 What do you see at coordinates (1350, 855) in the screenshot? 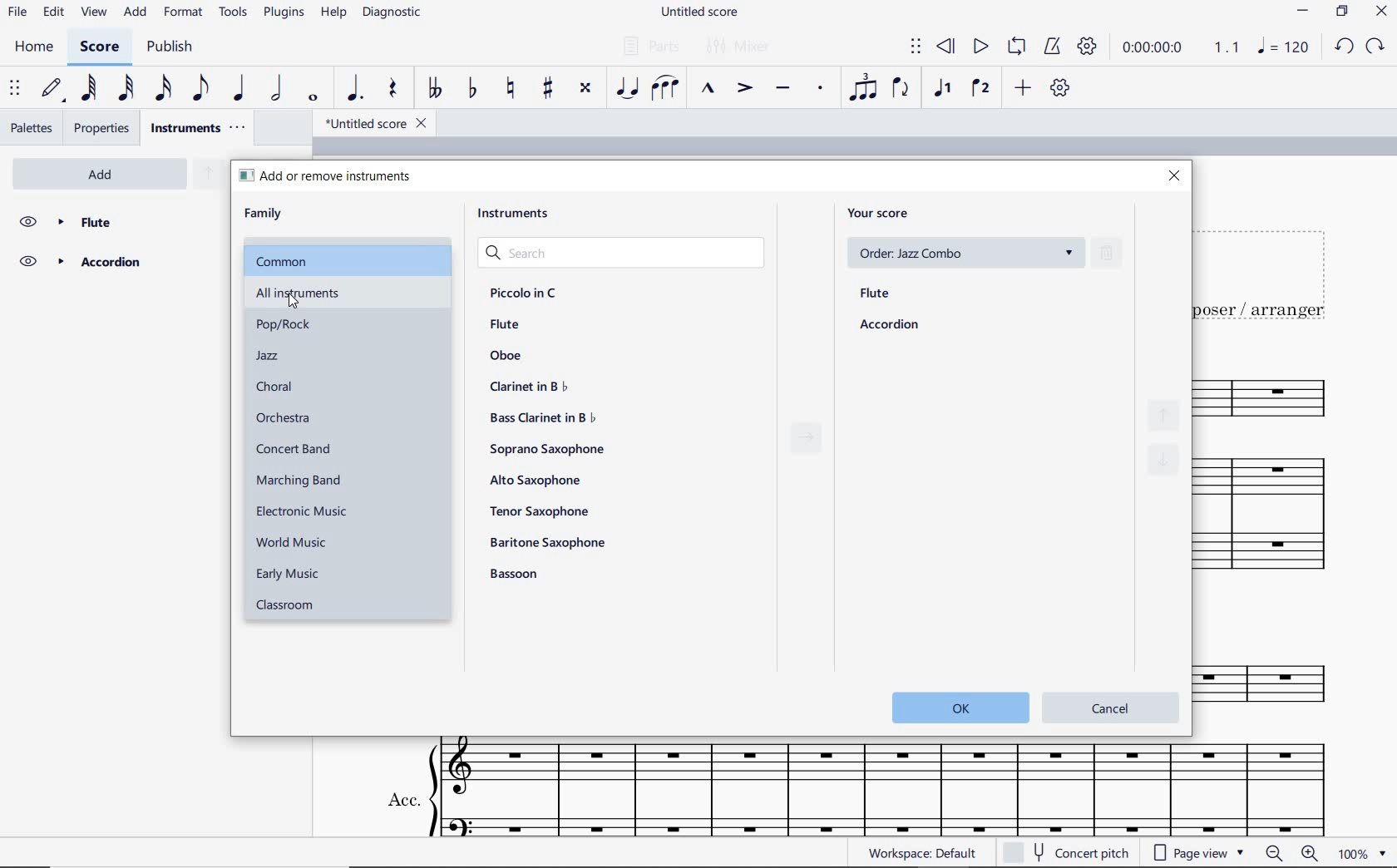
I see `zoom factor` at bounding box center [1350, 855].